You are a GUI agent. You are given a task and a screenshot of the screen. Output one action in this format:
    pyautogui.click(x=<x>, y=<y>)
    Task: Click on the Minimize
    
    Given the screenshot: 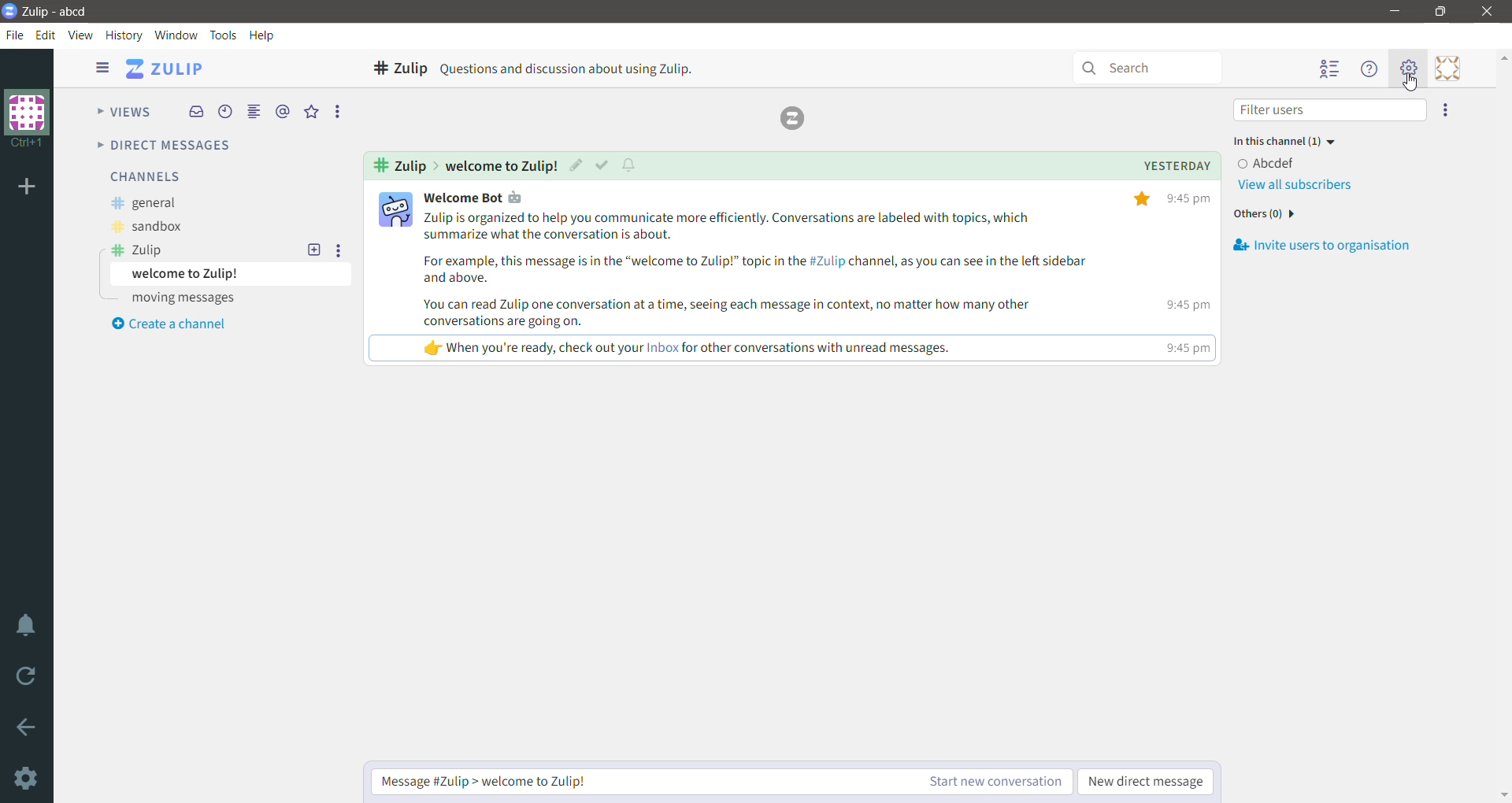 What is the action you would take?
    pyautogui.click(x=1393, y=12)
    